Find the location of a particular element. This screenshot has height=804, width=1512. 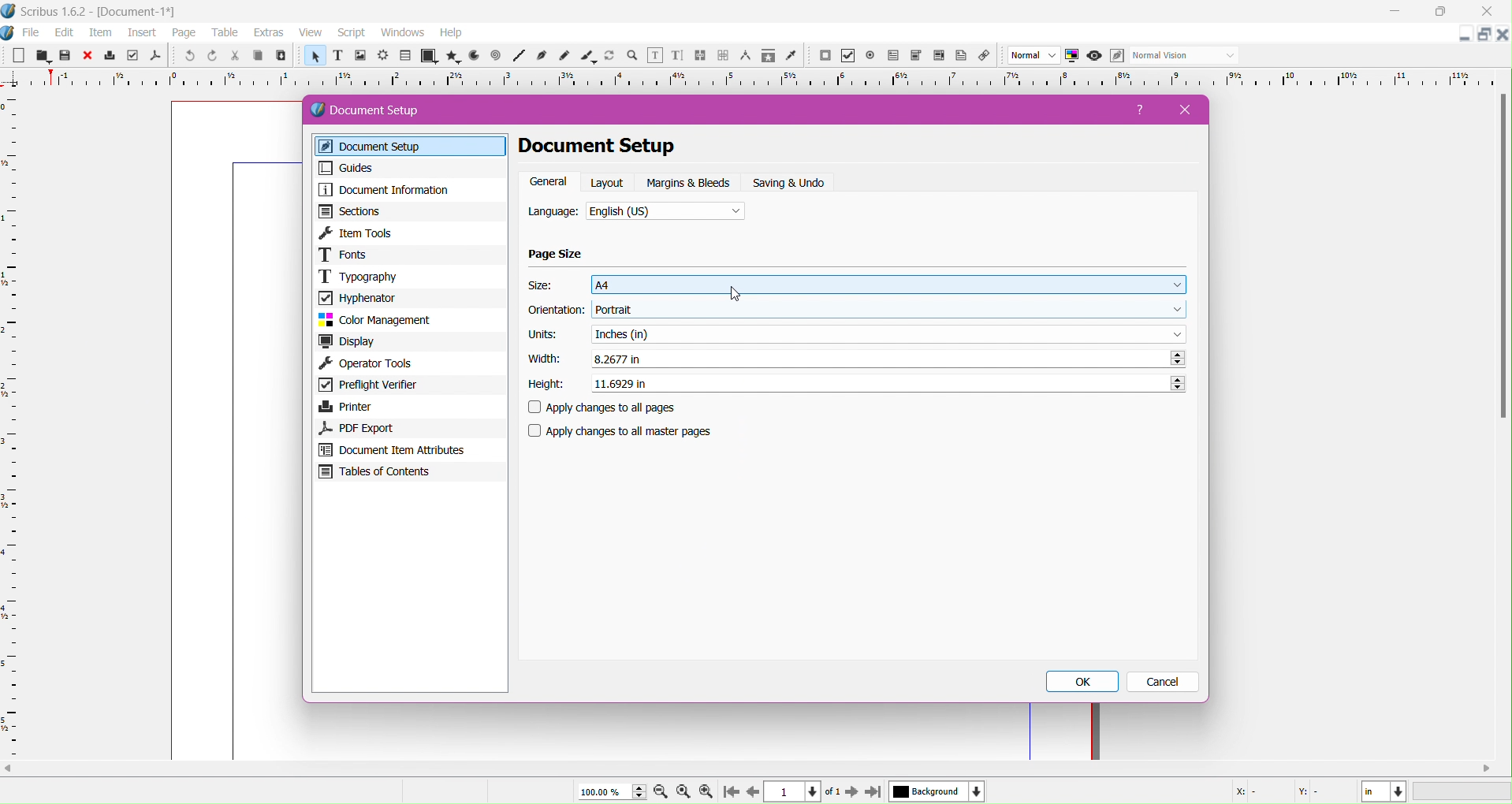

zoom to 100% is located at coordinates (685, 792).